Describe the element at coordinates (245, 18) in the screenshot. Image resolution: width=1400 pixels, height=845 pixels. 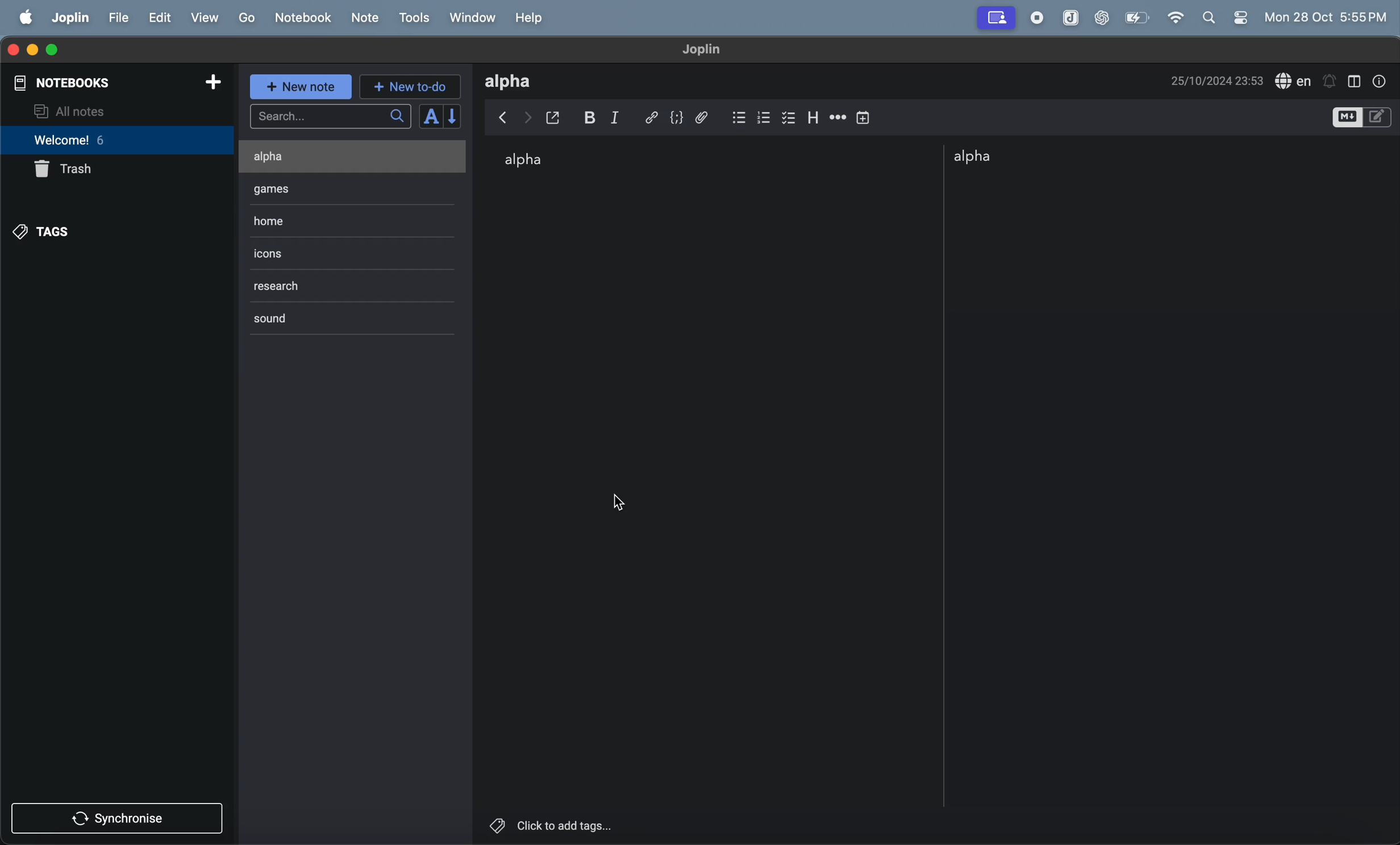
I see `go` at that location.